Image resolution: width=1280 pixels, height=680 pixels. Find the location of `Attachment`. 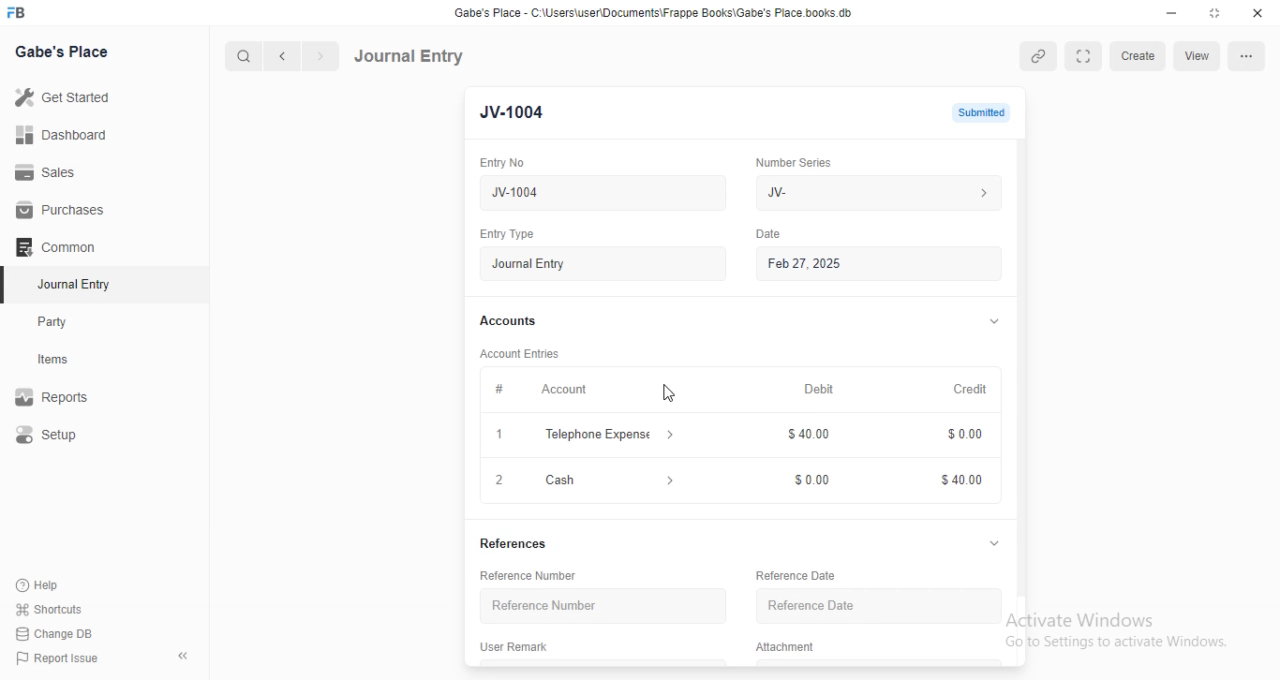

Attachment is located at coordinates (788, 647).